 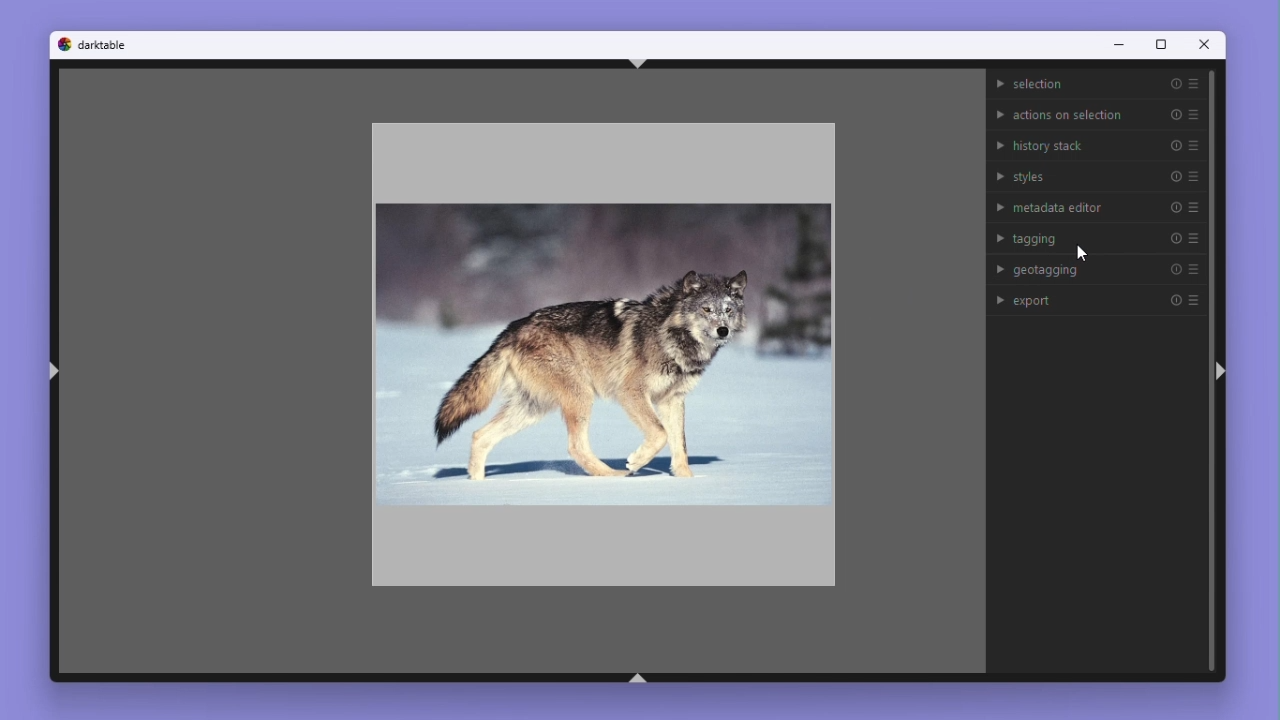 I want to click on Close, so click(x=1206, y=47).